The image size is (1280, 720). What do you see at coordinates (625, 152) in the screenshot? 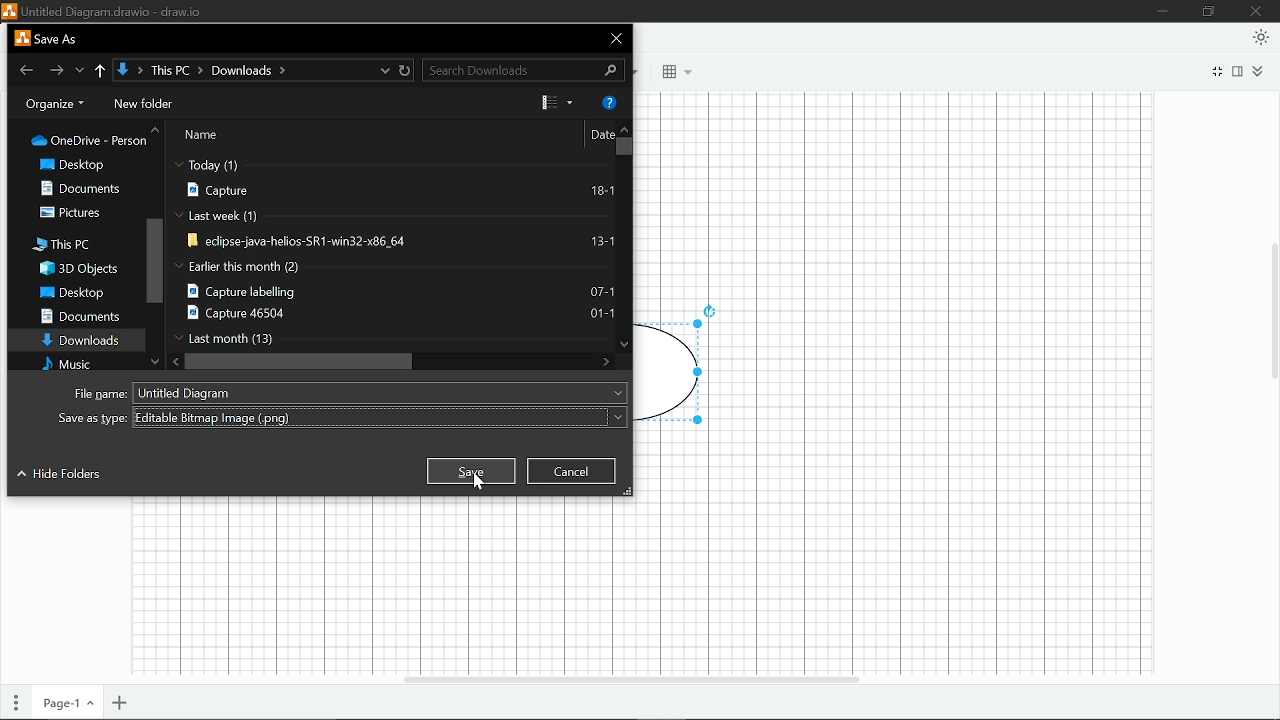
I see `Vertical scrollbar for files in "Downloads"` at bounding box center [625, 152].